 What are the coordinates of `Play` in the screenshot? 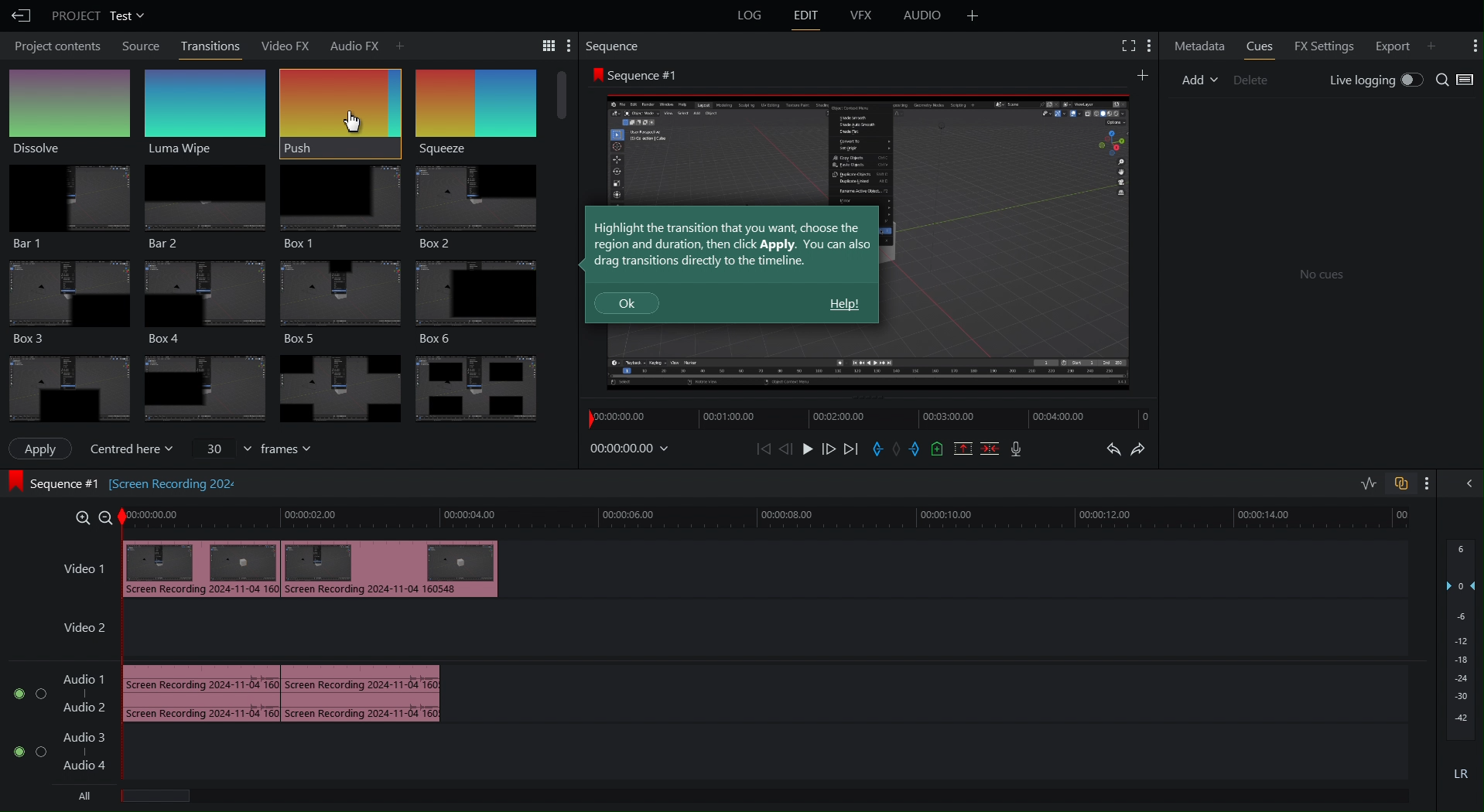 It's located at (807, 449).